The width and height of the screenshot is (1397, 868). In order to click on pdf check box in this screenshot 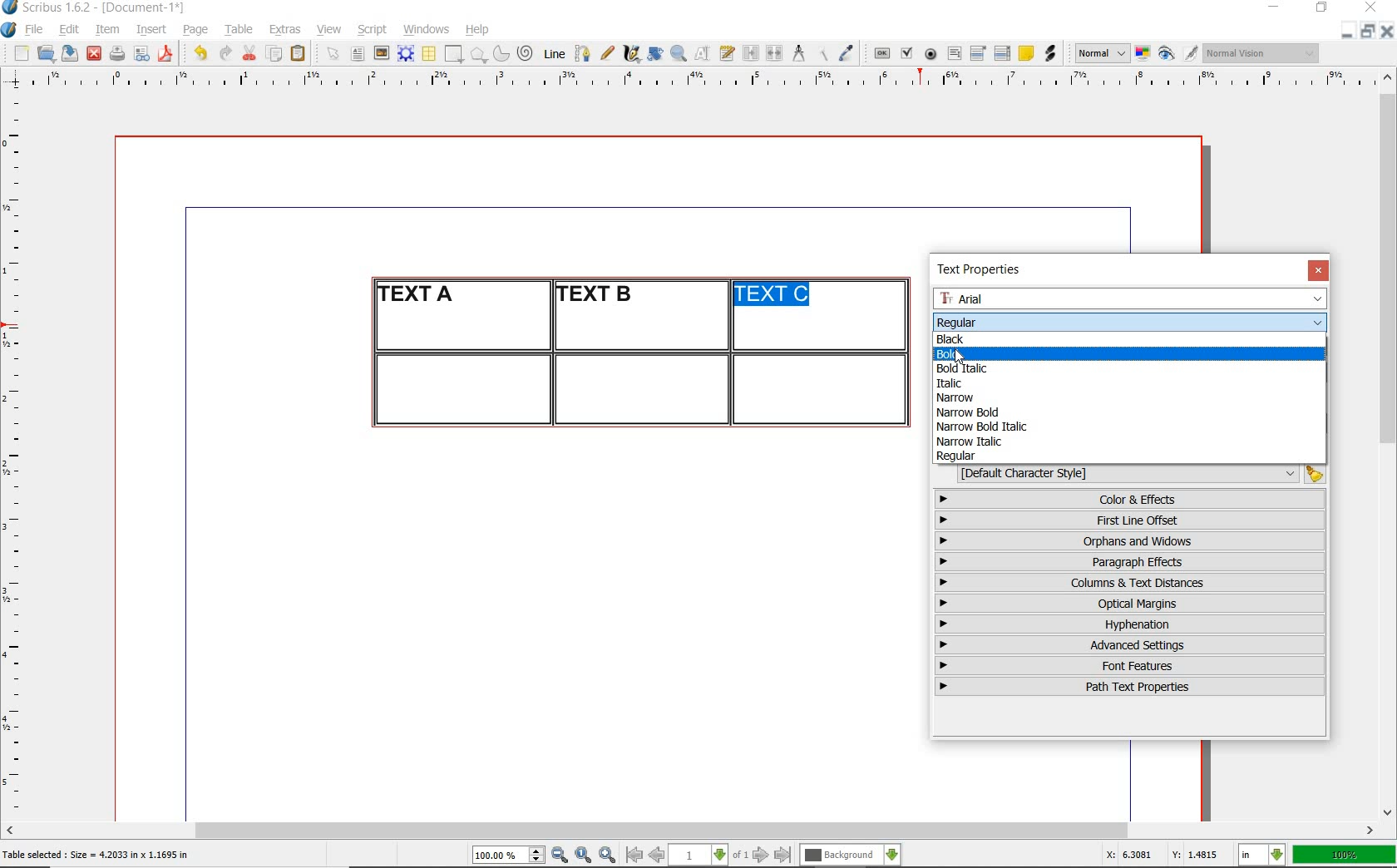, I will do `click(906, 54)`.